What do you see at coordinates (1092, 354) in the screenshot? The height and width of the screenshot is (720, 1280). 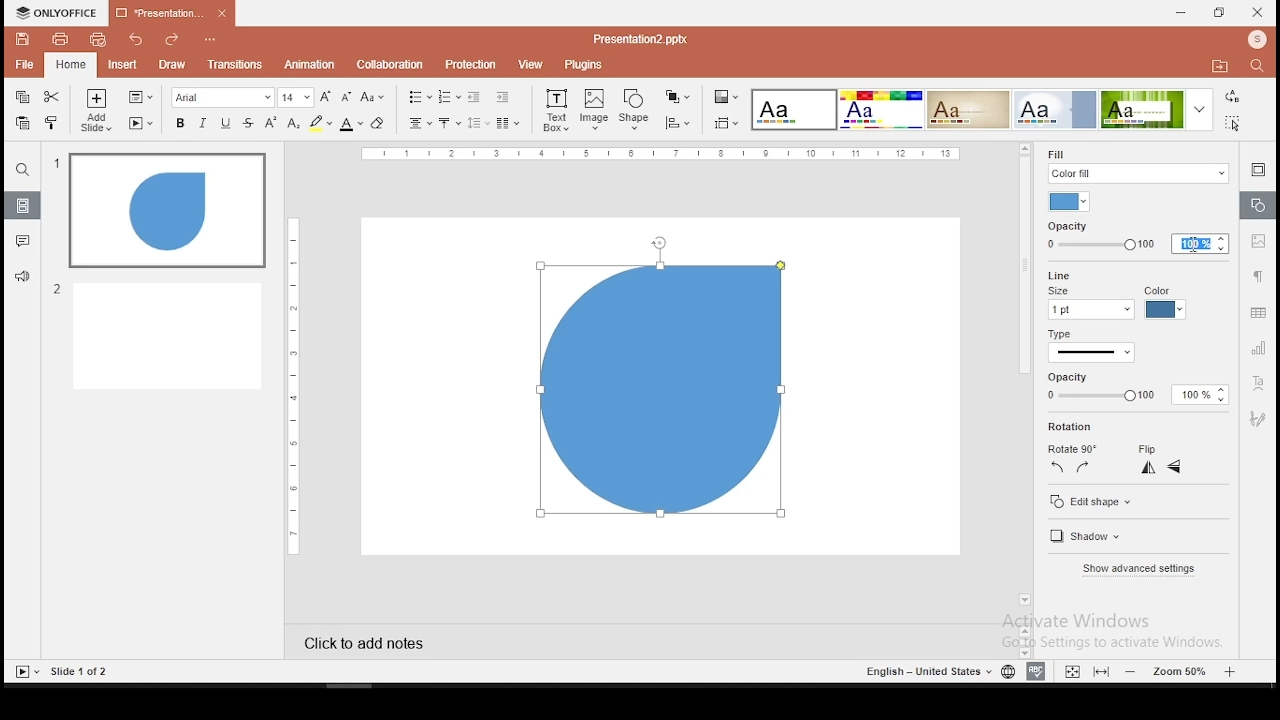 I see `line type selection` at bounding box center [1092, 354].